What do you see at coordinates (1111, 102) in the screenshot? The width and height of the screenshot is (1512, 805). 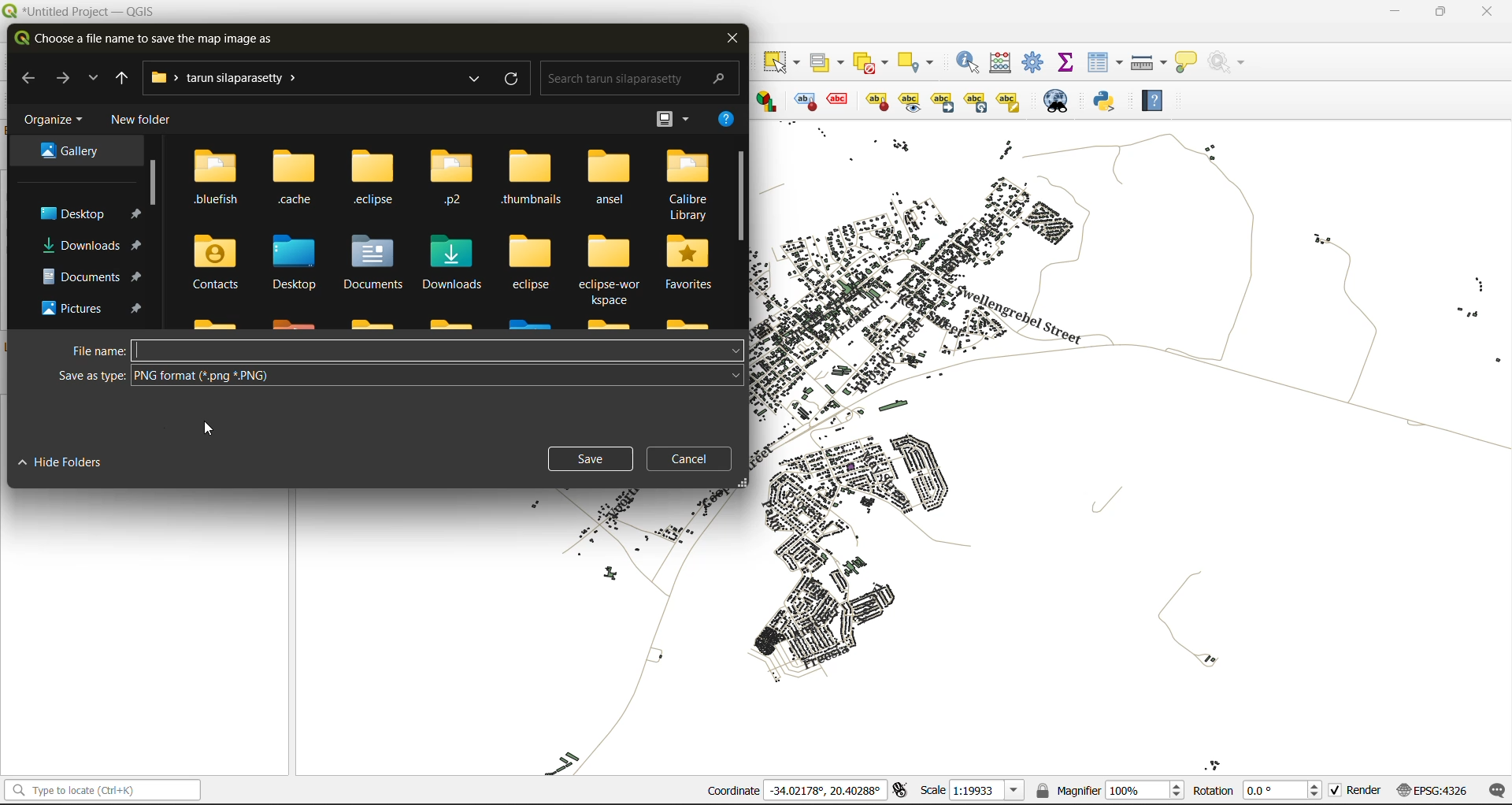 I see `python` at bounding box center [1111, 102].